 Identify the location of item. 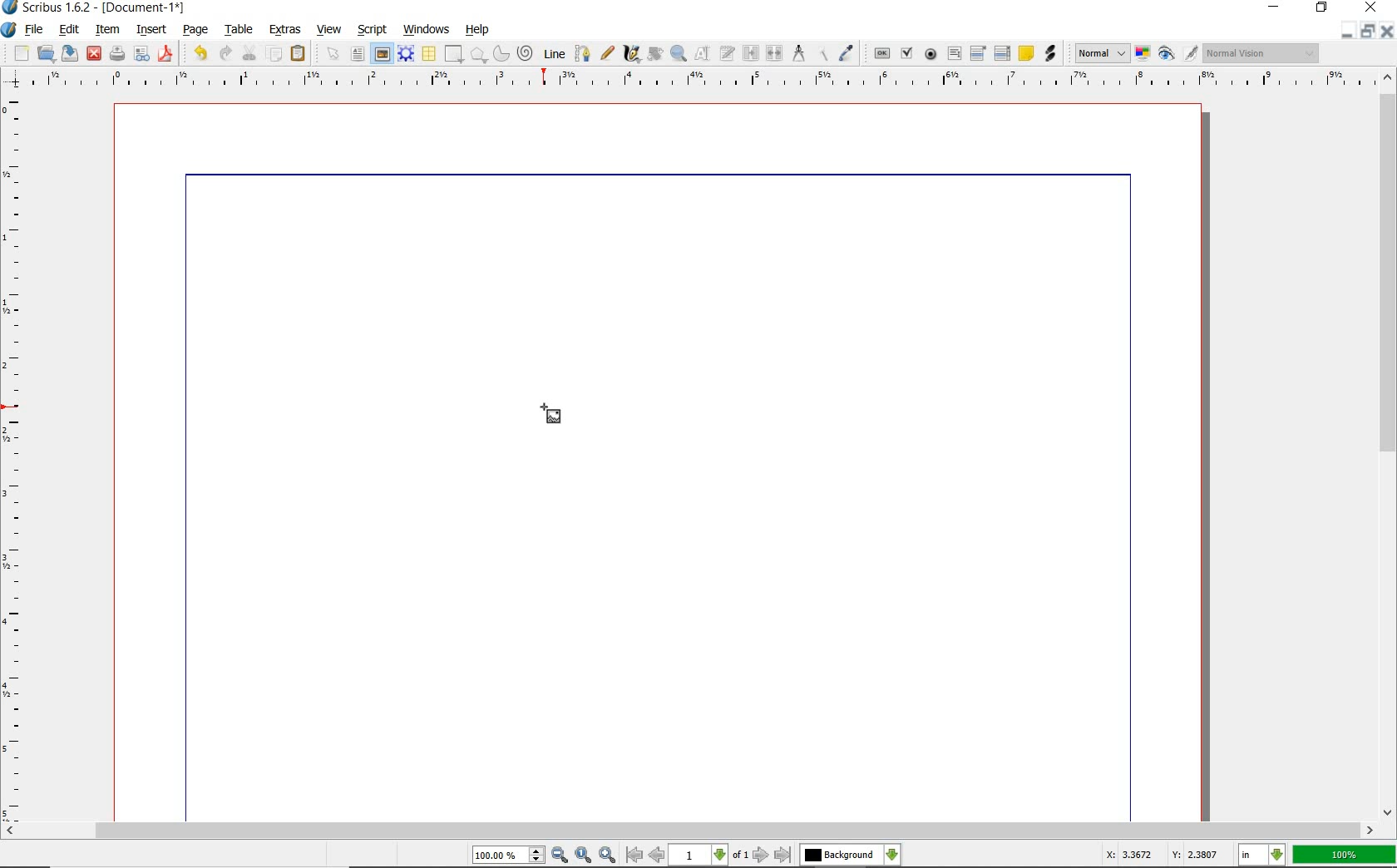
(107, 30).